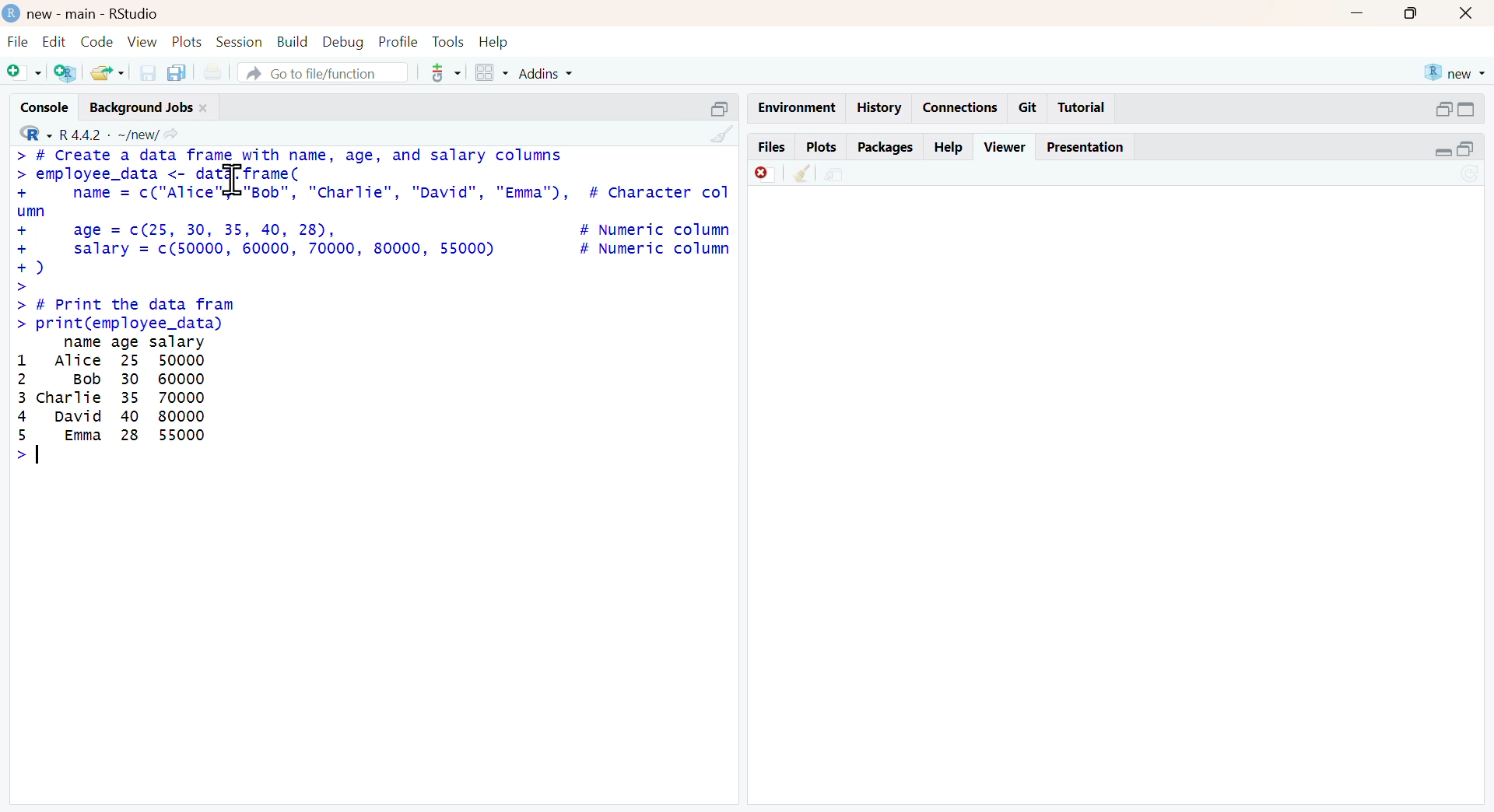 The height and width of the screenshot is (812, 1494). Describe the element at coordinates (1417, 16) in the screenshot. I see `maximize window` at that location.